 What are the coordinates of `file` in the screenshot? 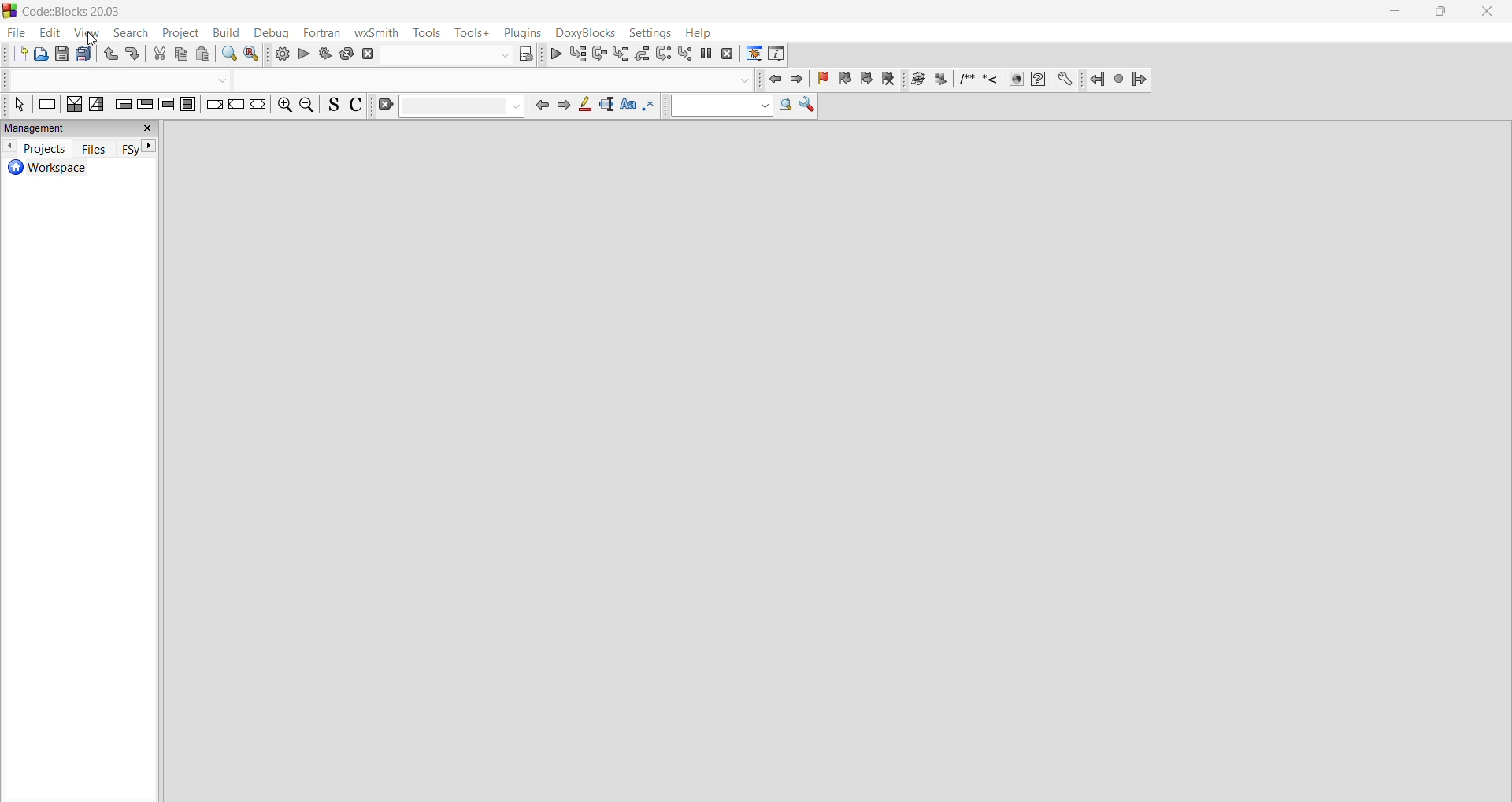 It's located at (16, 33).